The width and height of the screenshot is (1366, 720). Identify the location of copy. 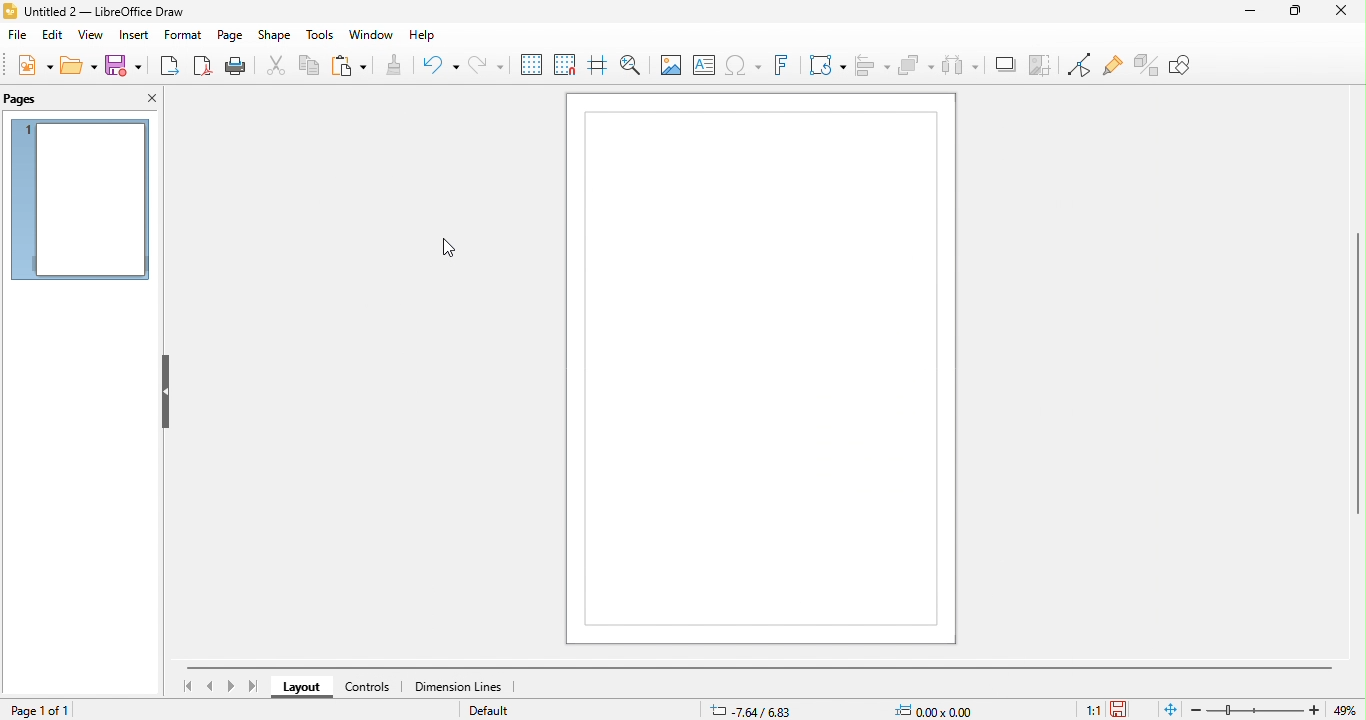
(311, 67).